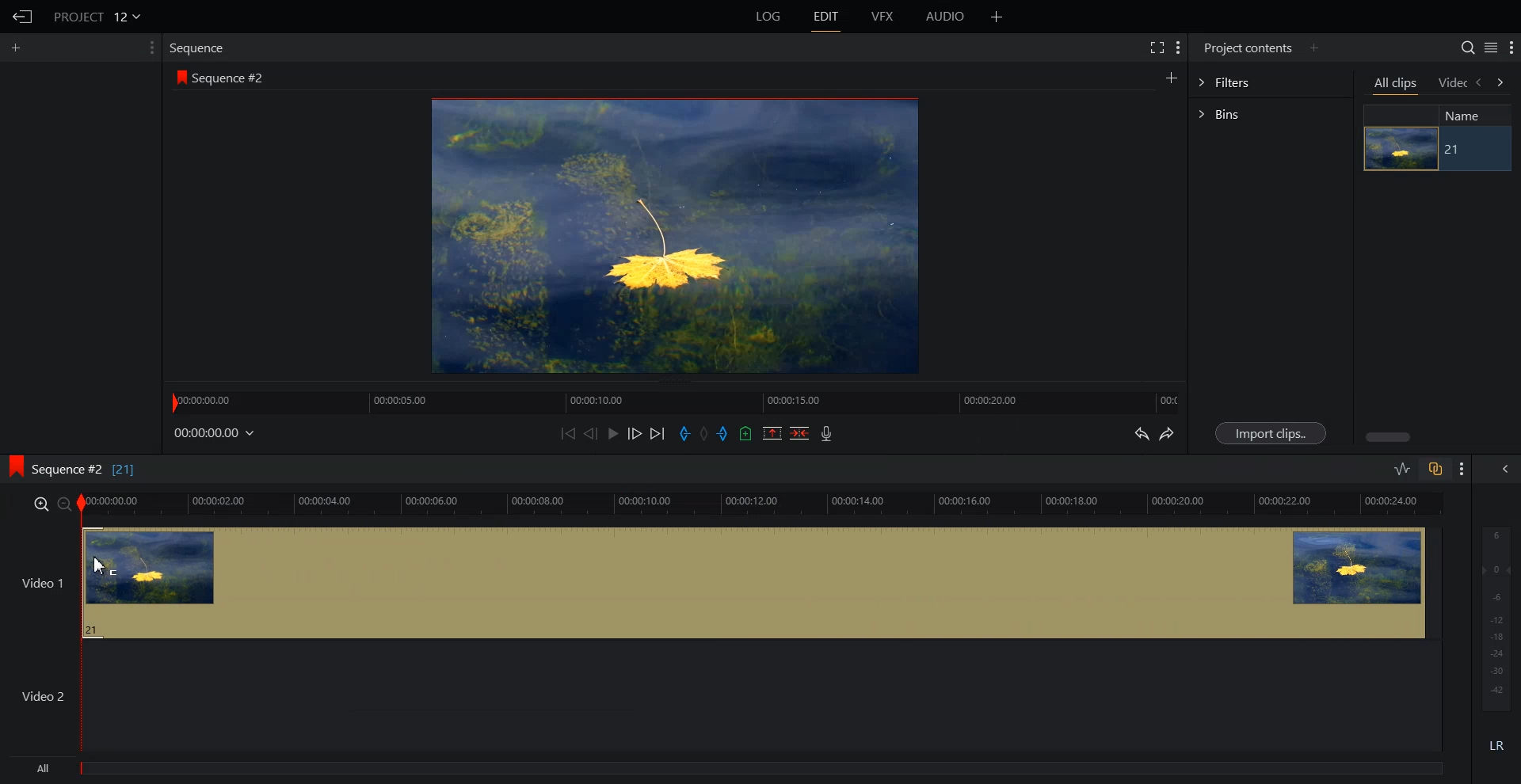  What do you see at coordinates (1481, 84) in the screenshot?
I see `backward` at bounding box center [1481, 84].